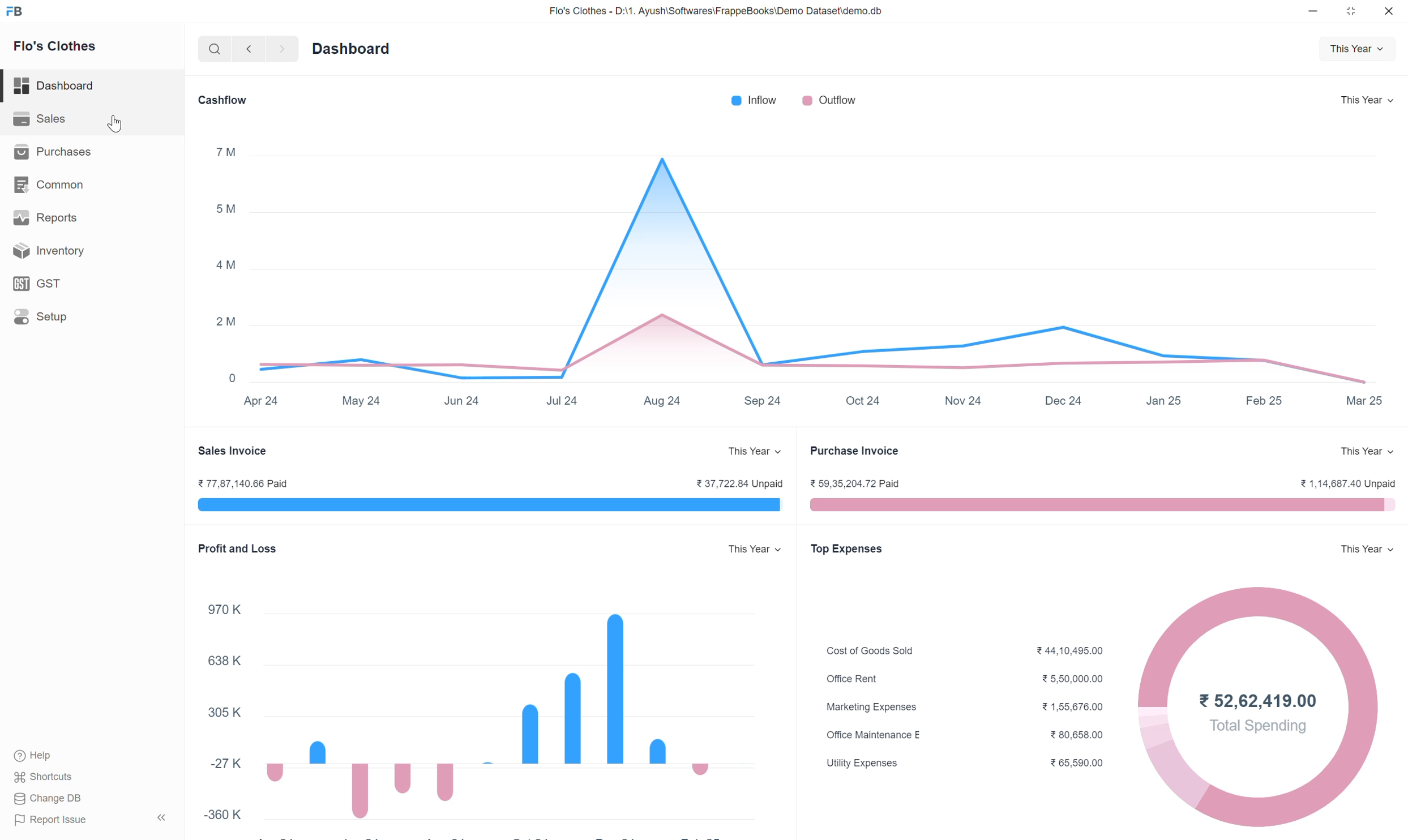 Image resolution: width=1408 pixels, height=840 pixels. What do you see at coordinates (266, 399) in the screenshot?
I see `Apr 24` at bounding box center [266, 399].